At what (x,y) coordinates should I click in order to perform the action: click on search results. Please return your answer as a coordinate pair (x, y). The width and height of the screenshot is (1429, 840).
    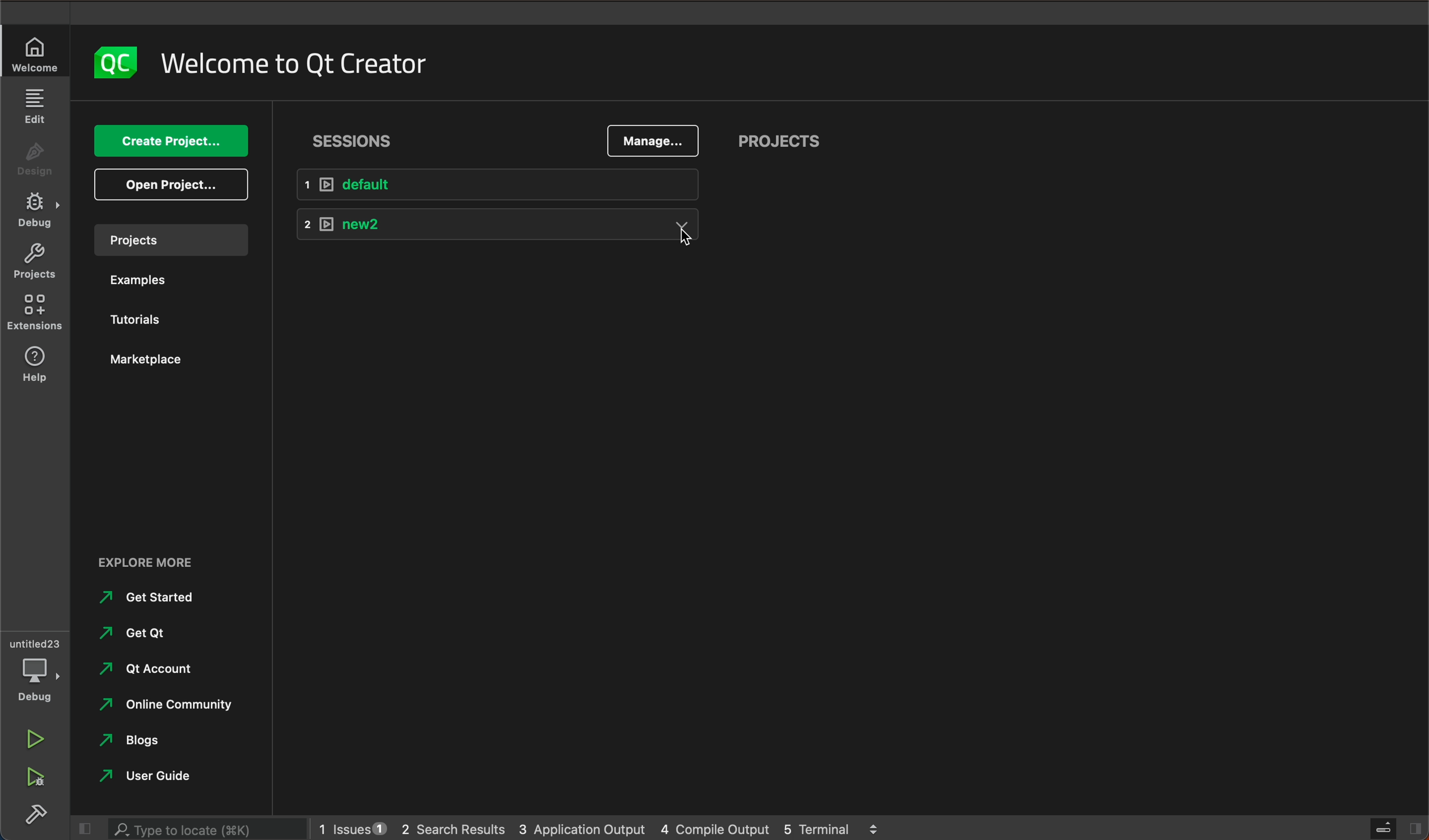
    Looking at the image, I should click on (453, 826).